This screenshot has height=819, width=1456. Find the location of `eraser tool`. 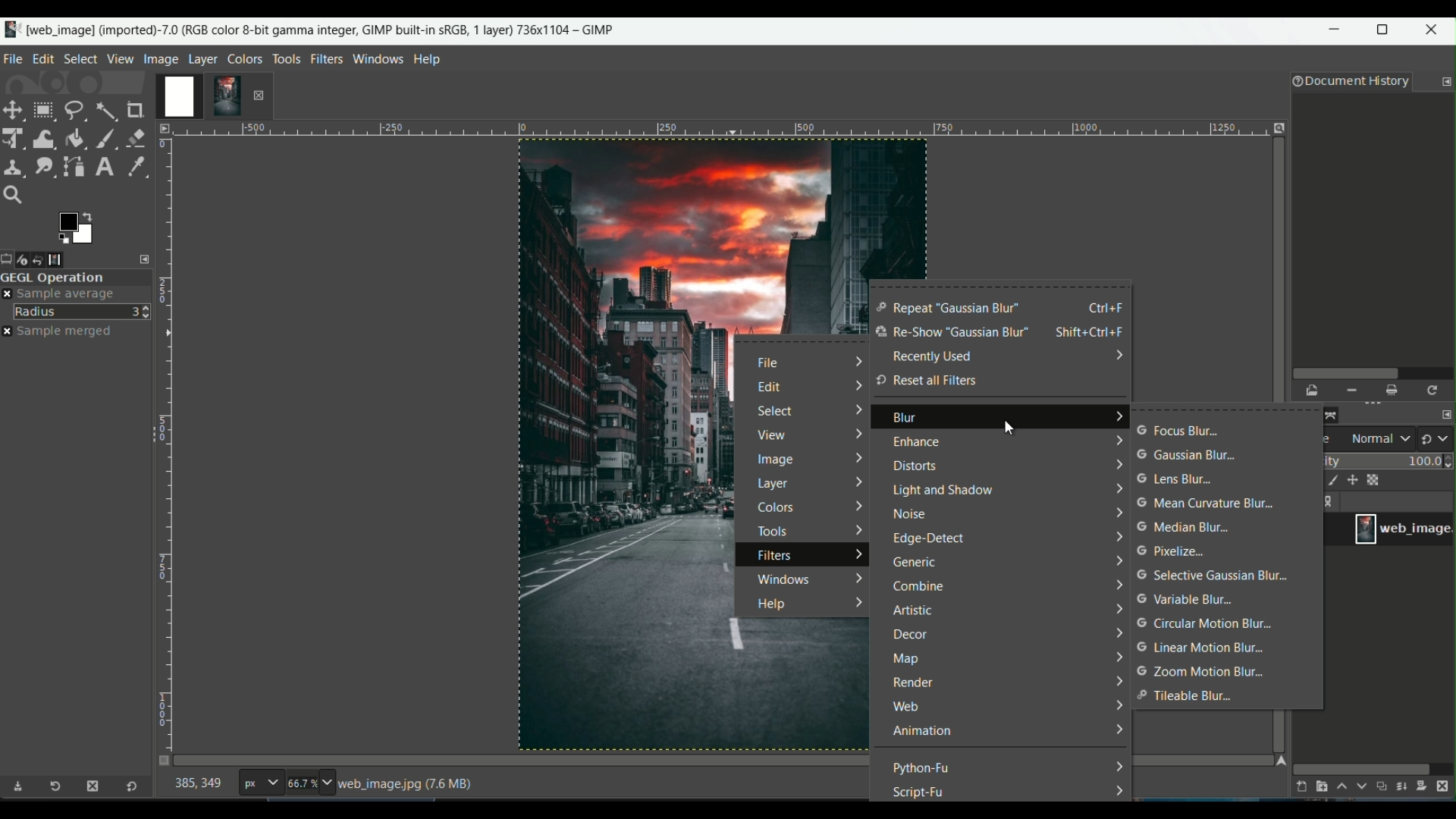

eraser tool is located at coordinates (137, 136).